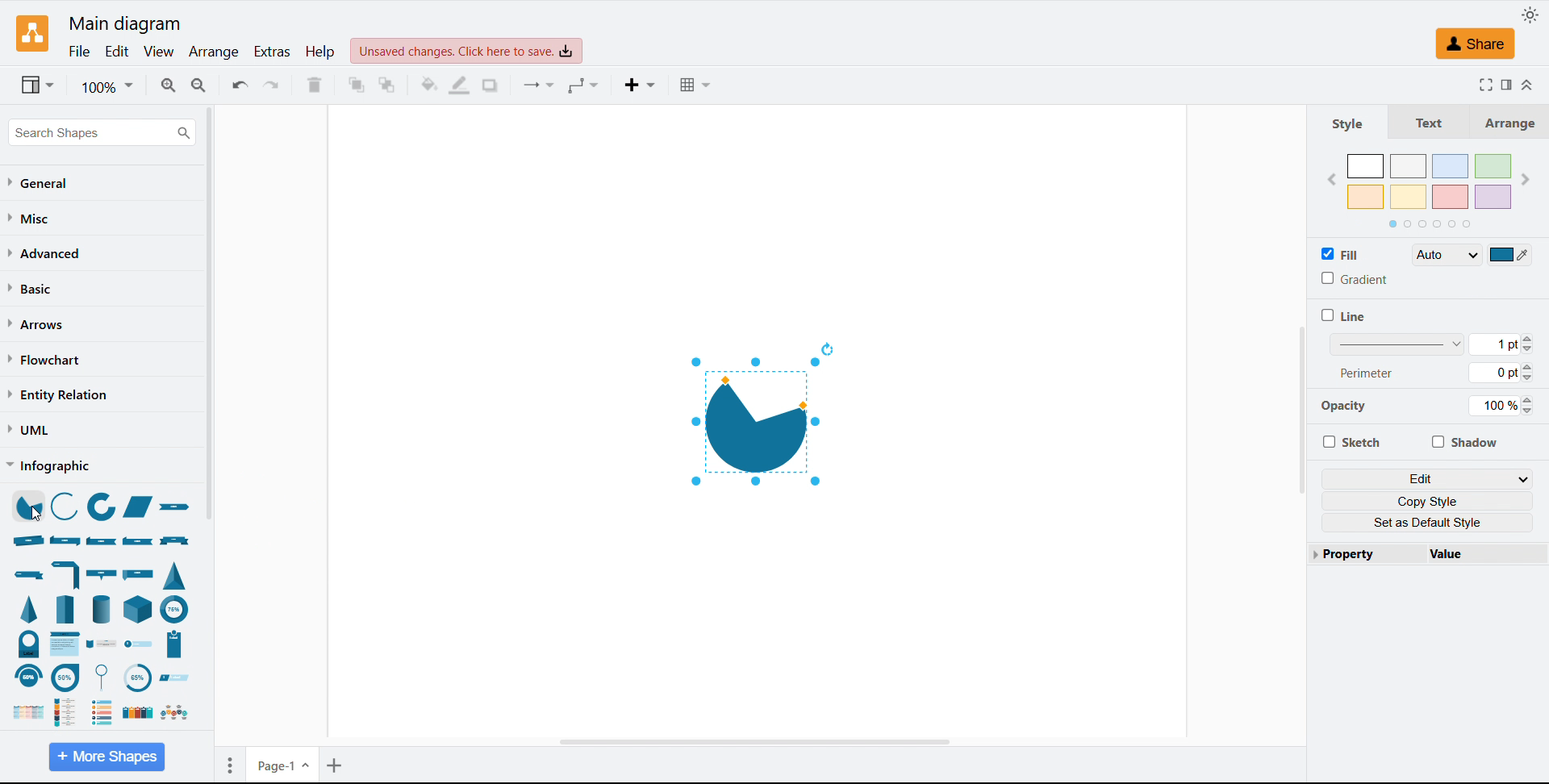 The width and height of the screenshot is (1549, 784). What do you see at coordinates (140, 507) in the screenshot?
I see `trapezoid` at bounding box center [140, 507].